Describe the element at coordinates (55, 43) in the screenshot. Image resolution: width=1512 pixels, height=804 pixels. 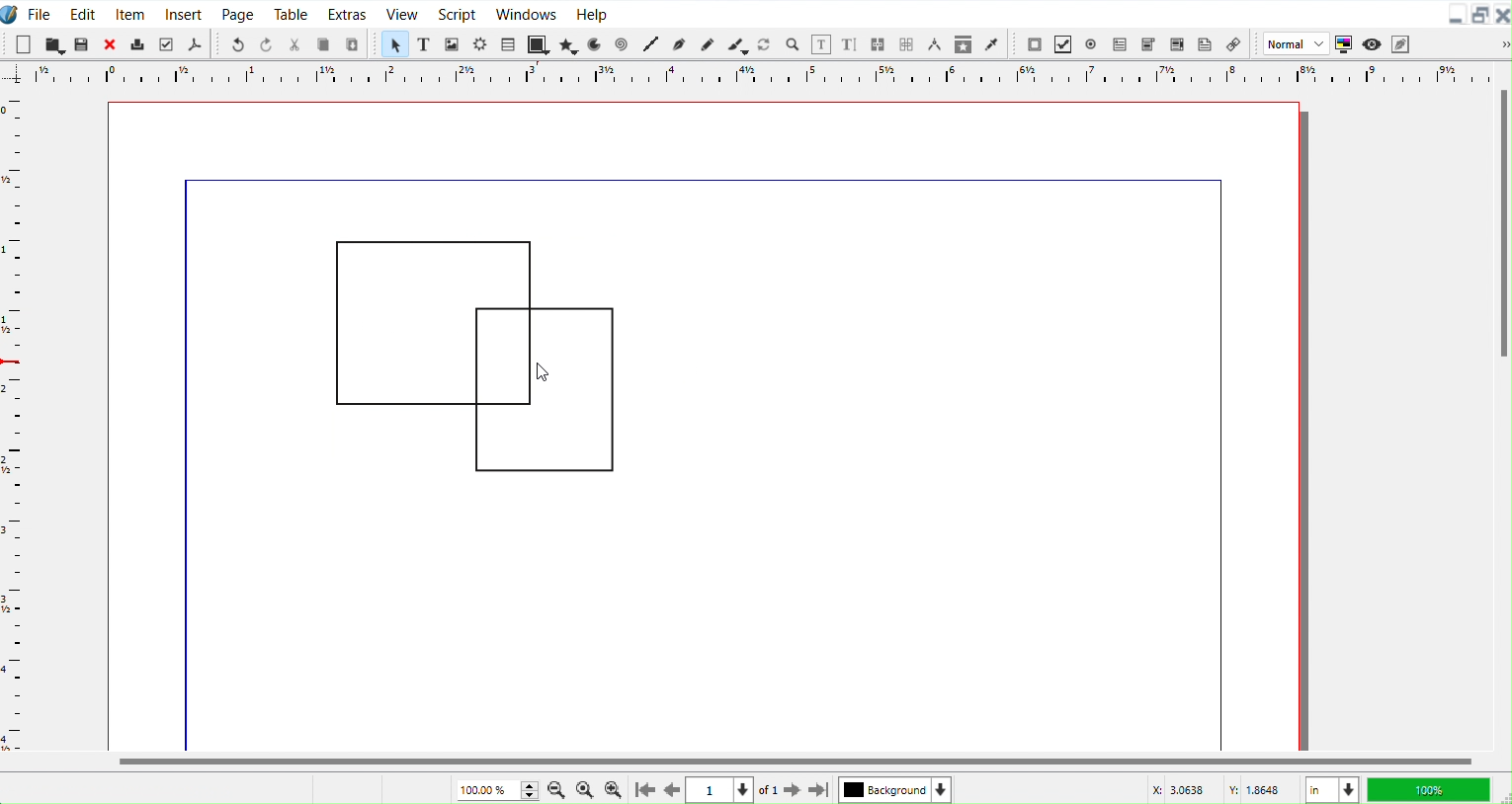
I see `Open` at that location.